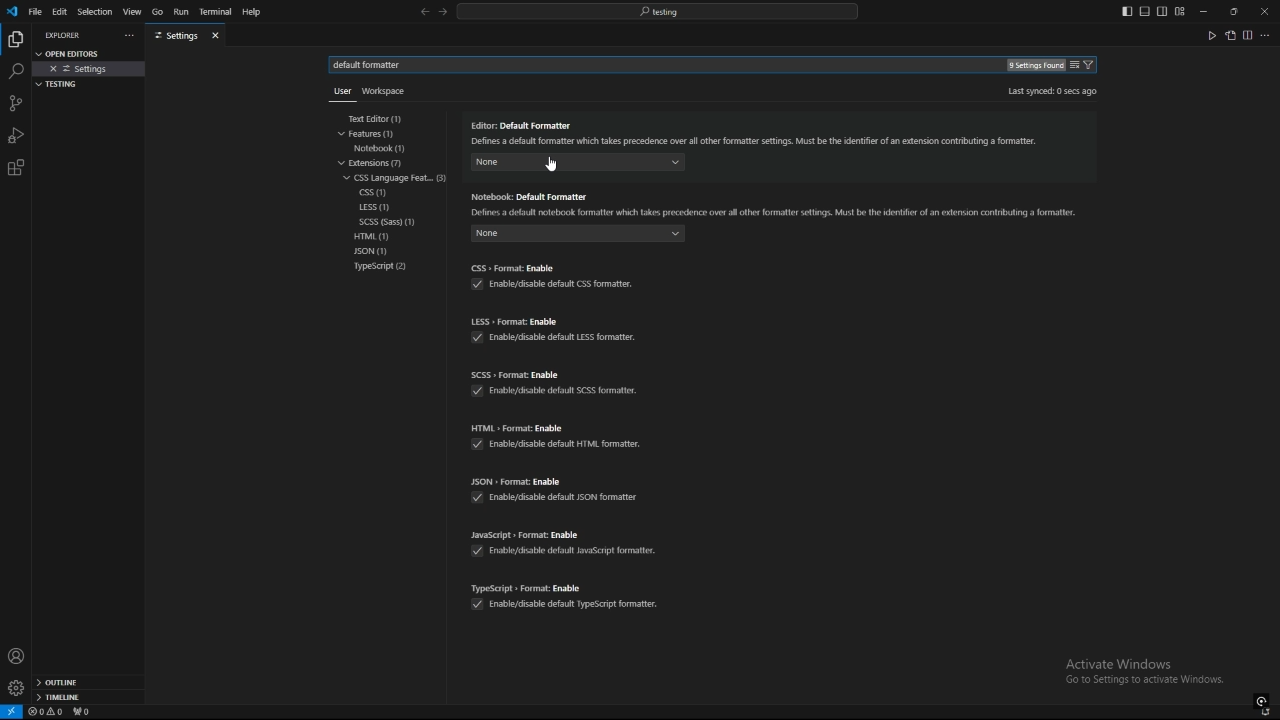 This screenshot has width=1280, height=720. What do you see at coordinates (88, 683) in the screenshot?
I see `outline` at bounding box center [88, 683].